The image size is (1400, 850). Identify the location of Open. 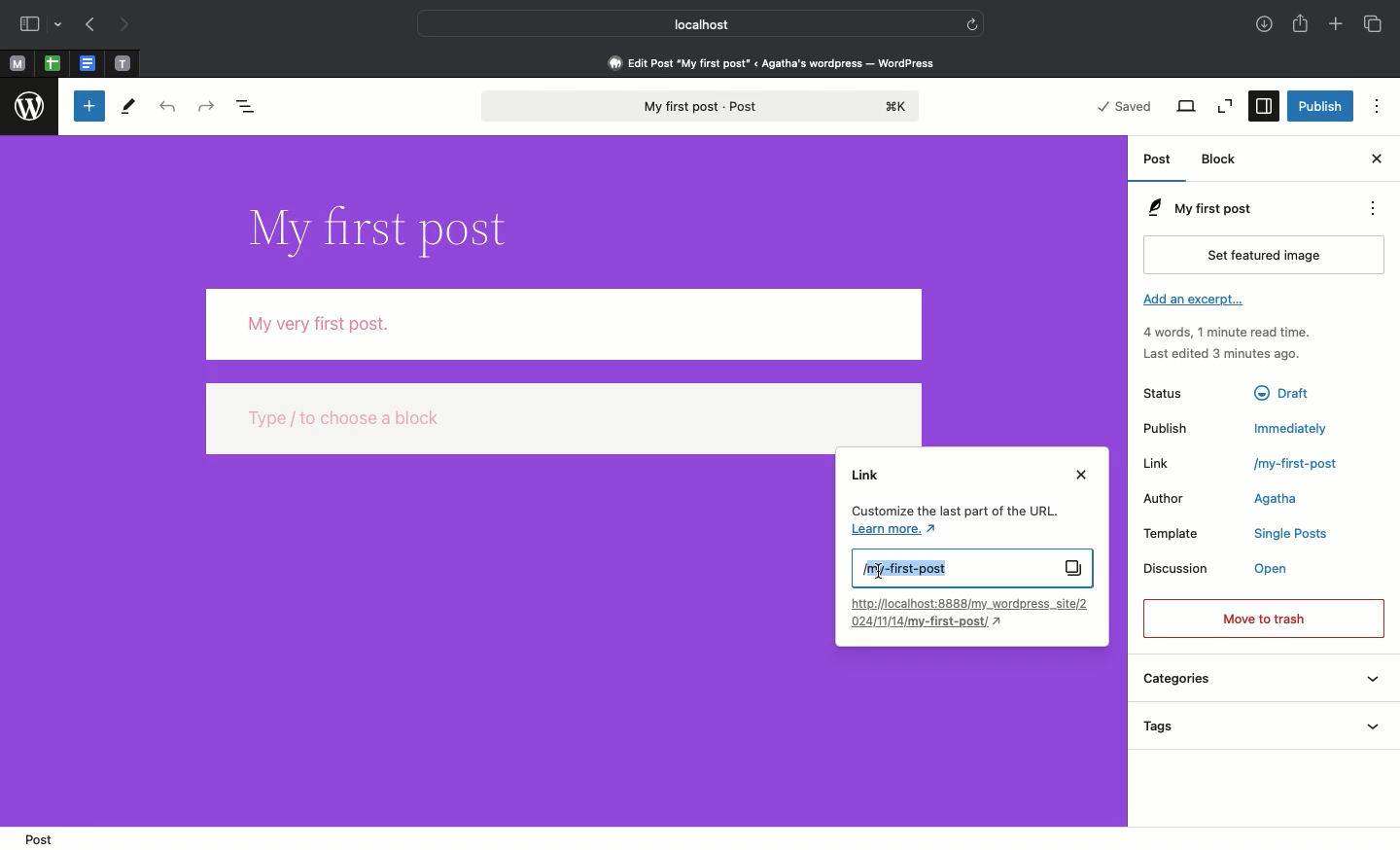
(1277, 569).